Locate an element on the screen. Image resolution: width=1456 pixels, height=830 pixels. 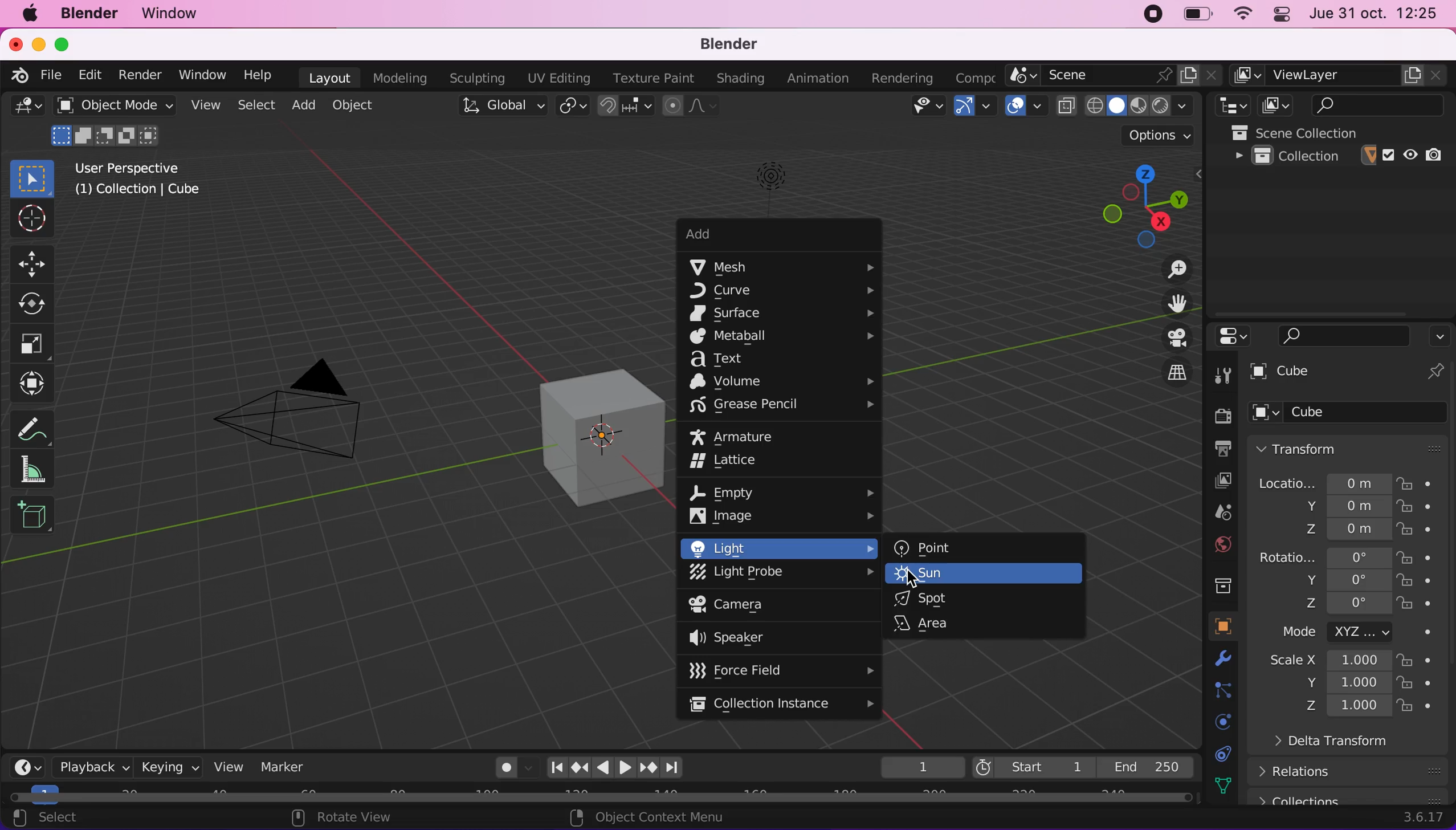
Start 1 is located at coordinates (1032, 765).